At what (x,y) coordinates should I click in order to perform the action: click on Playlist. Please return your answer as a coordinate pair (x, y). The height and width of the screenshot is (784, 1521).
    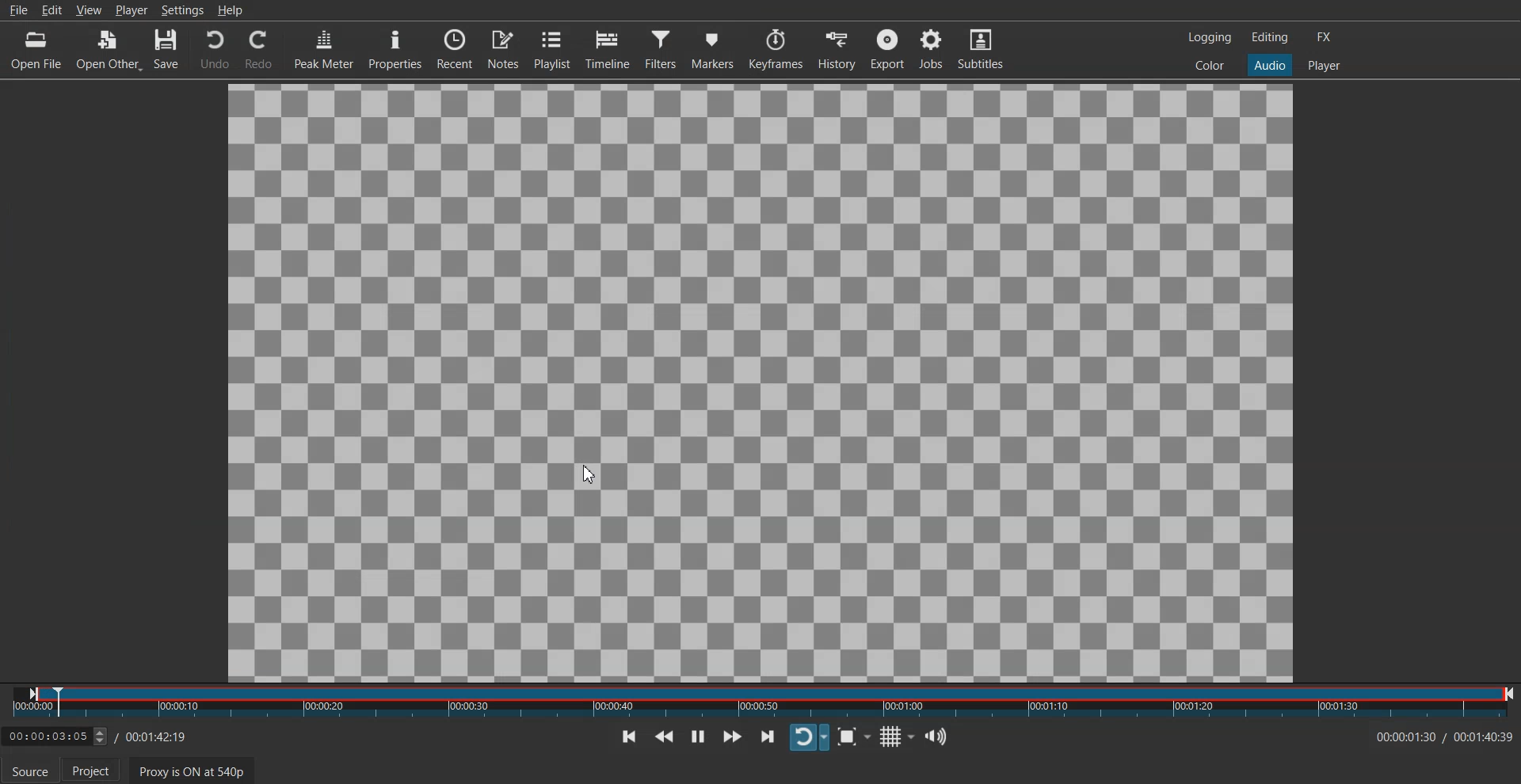
    Looking at the image, I should click on (552, 49).